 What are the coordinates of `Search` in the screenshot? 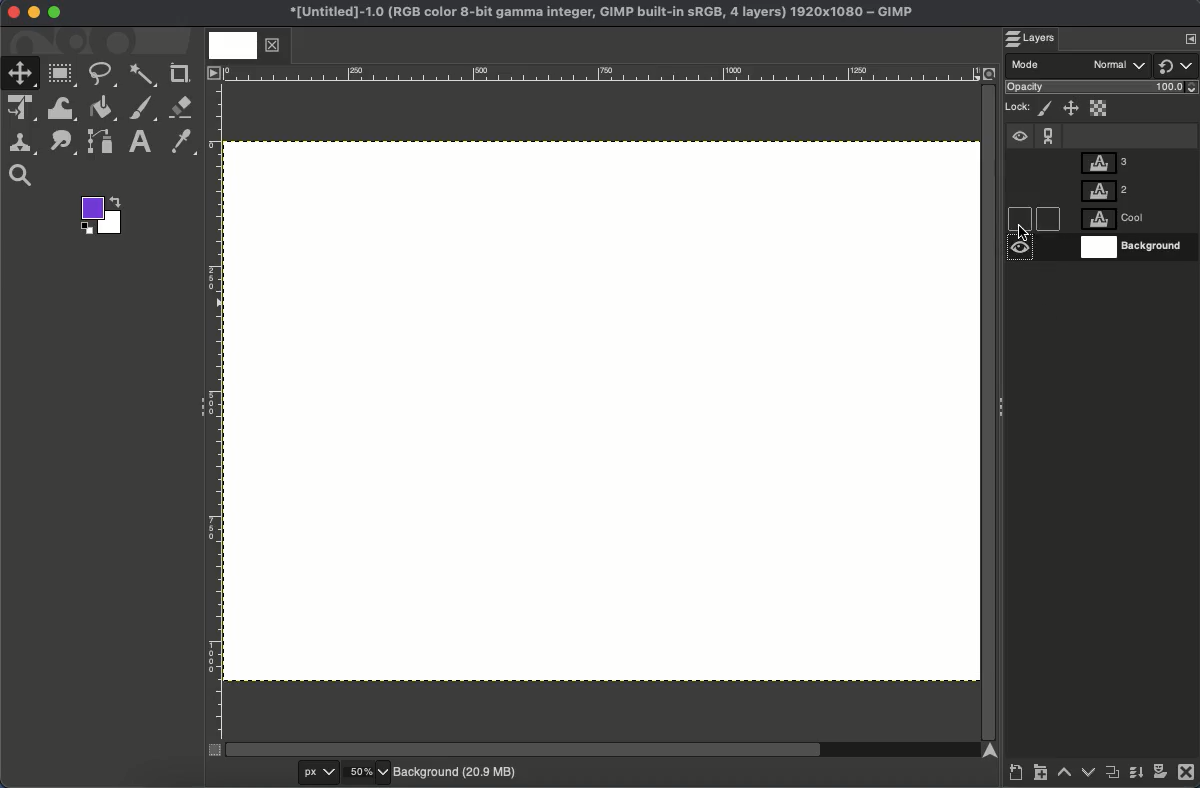 It's located at (20, 176).